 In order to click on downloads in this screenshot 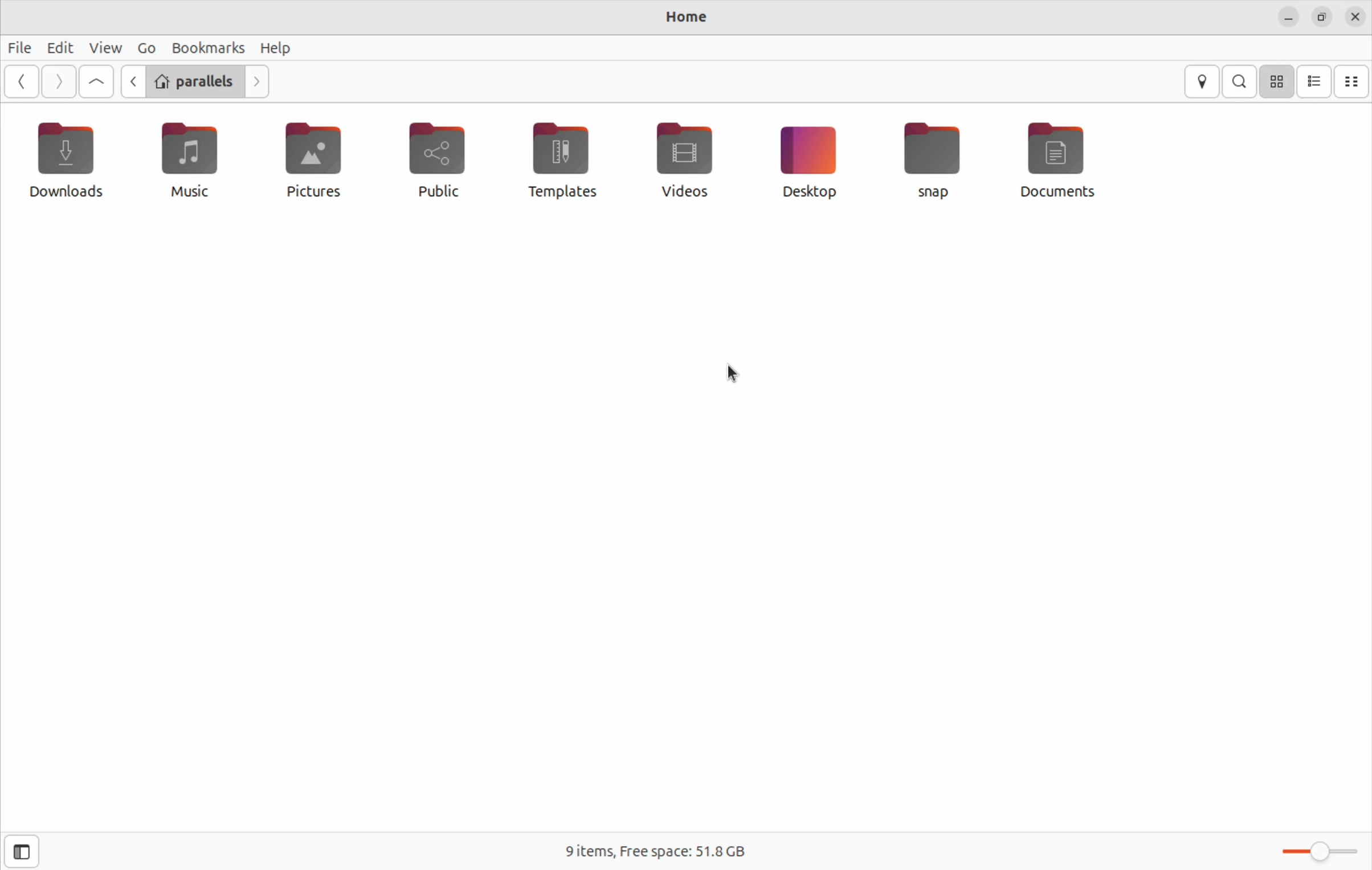, I will do `click(68, 157)`.